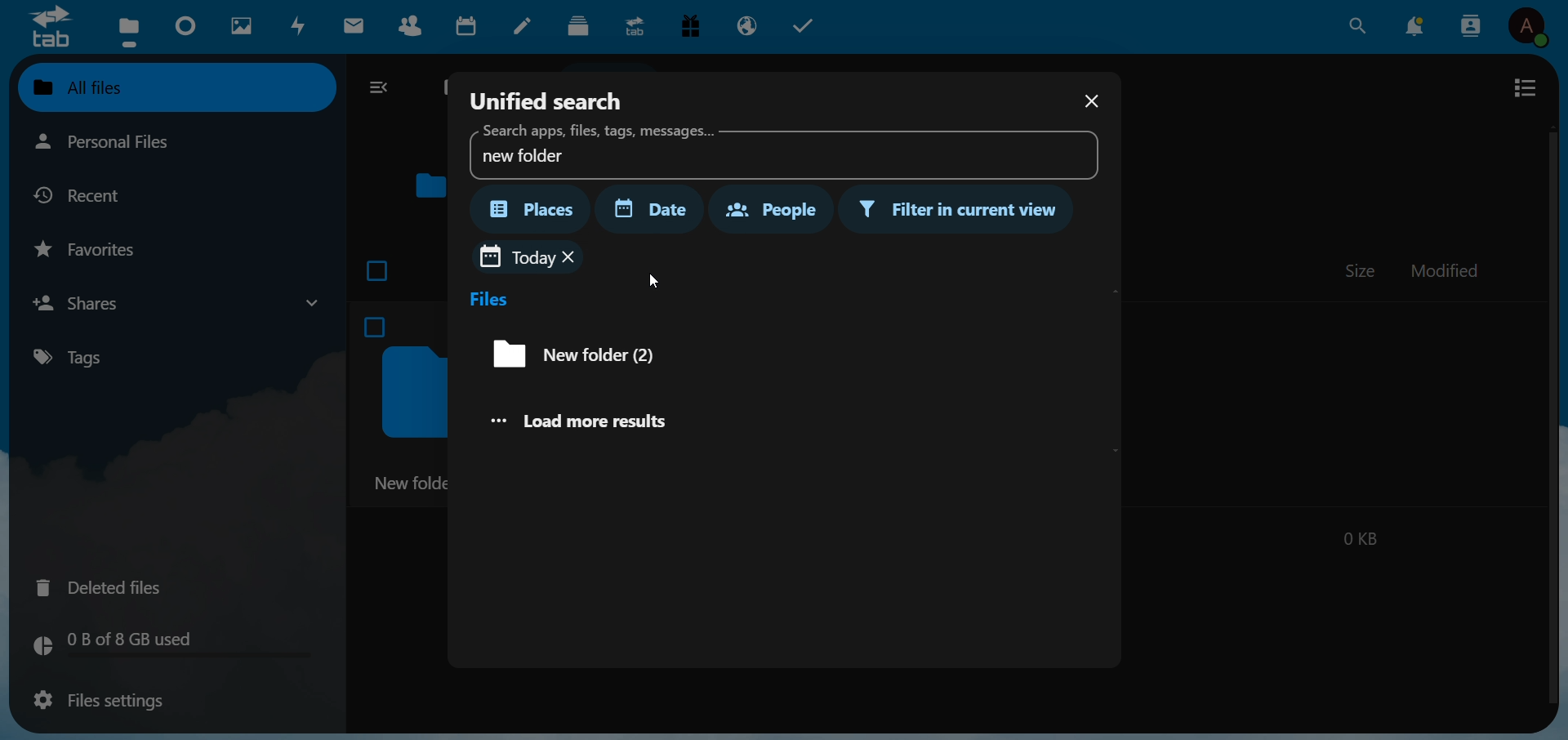  I want to click on scroll bar, so click(1550, 413).